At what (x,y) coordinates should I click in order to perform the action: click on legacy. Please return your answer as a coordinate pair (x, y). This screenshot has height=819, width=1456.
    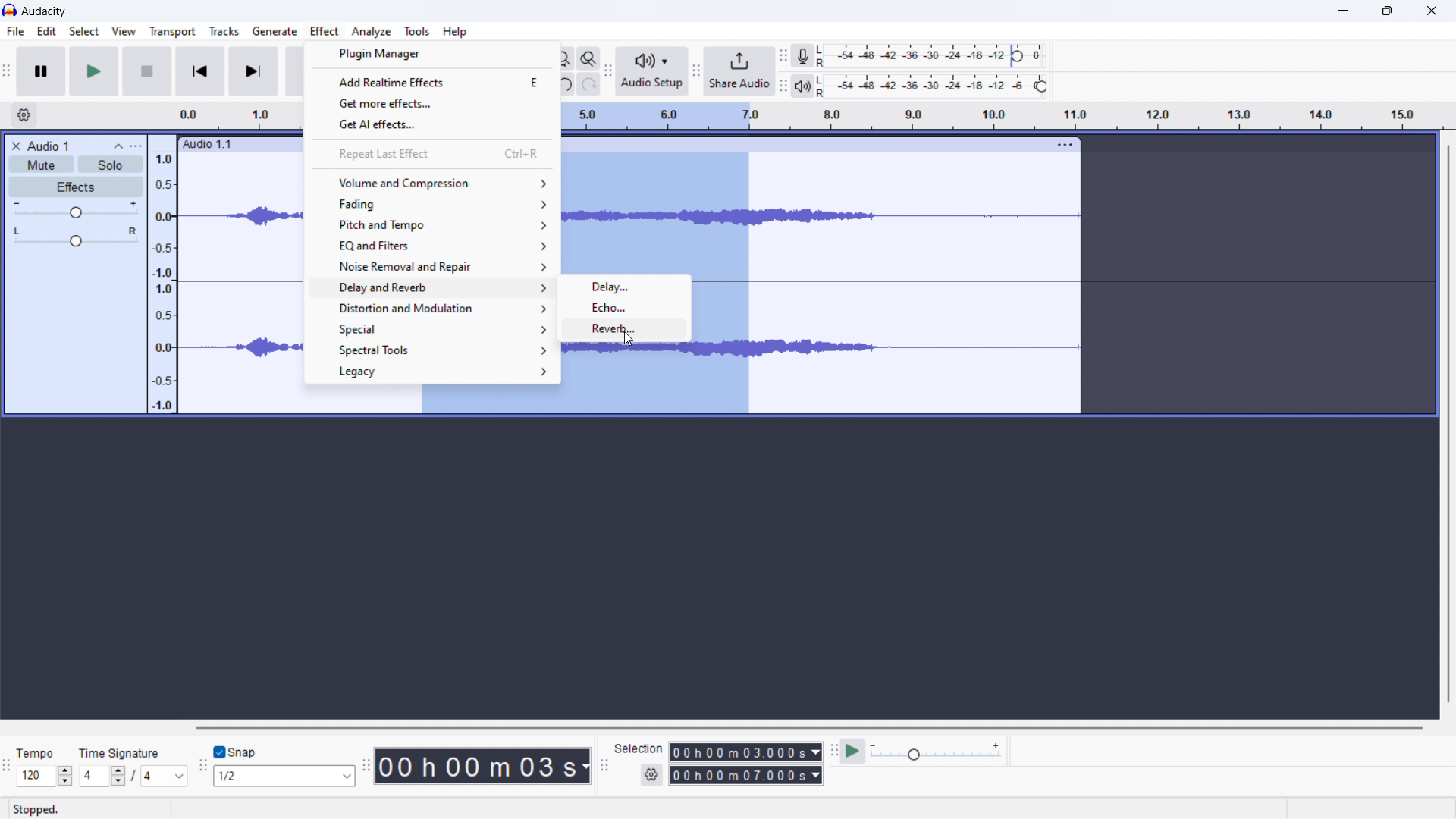
    Looking at the image, I should click on (431, 372).